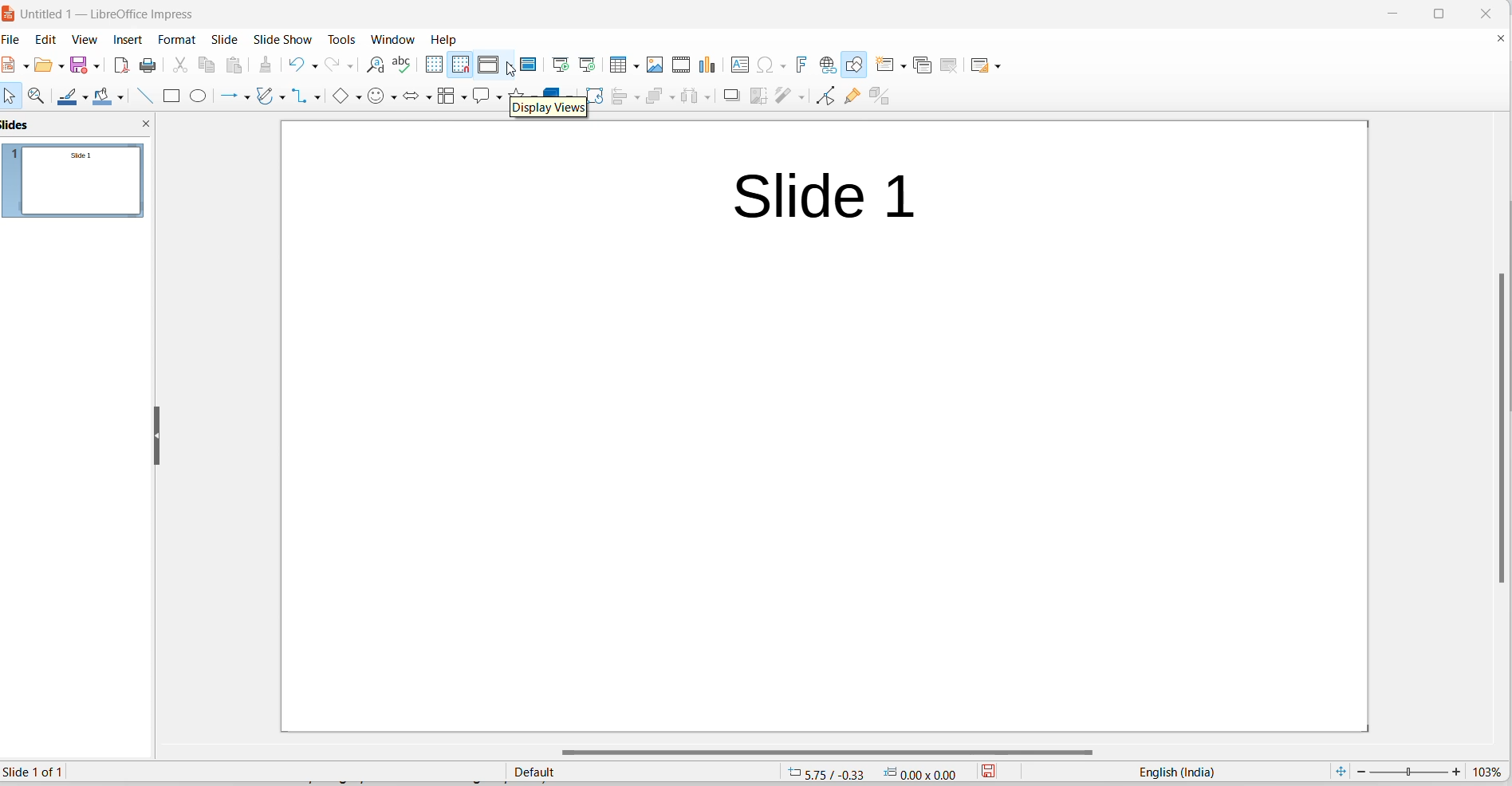  What do you see at coordinates (283, 40) in the screenshot?
I see `slide show` at bounding box center [283, 40].